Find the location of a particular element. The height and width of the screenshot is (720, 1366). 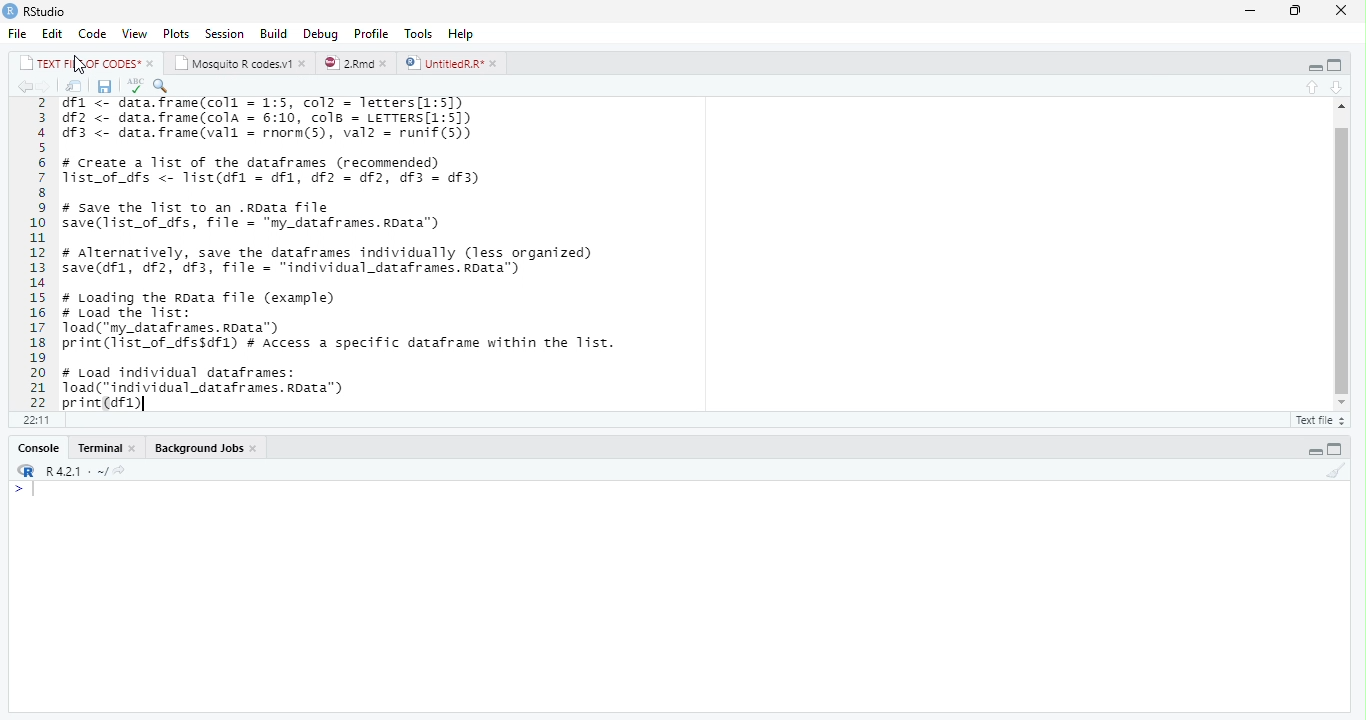

Build is located at coordinates (275, 32).